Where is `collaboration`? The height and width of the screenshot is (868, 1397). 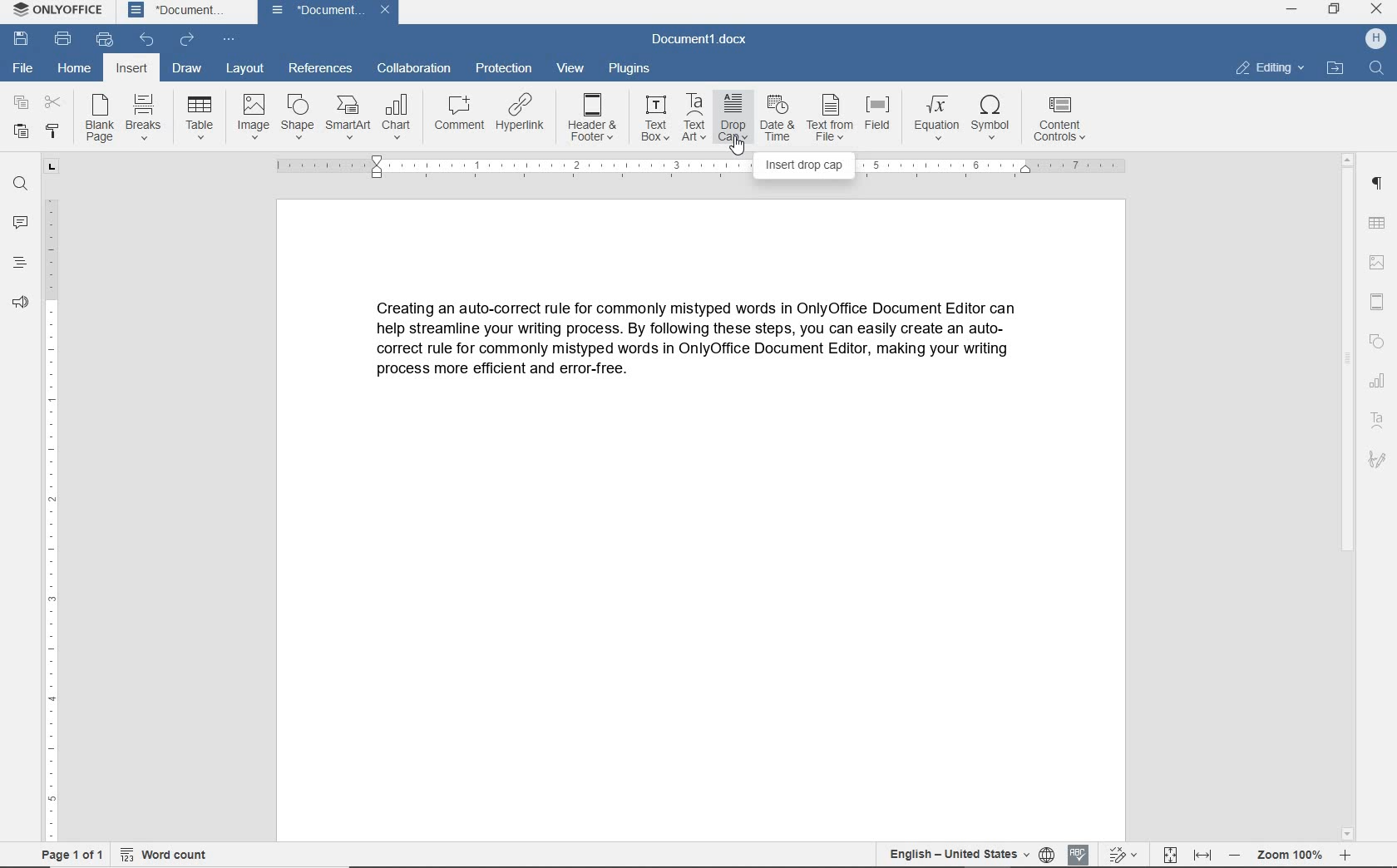
collaboration is located at coordinates (412, 72).